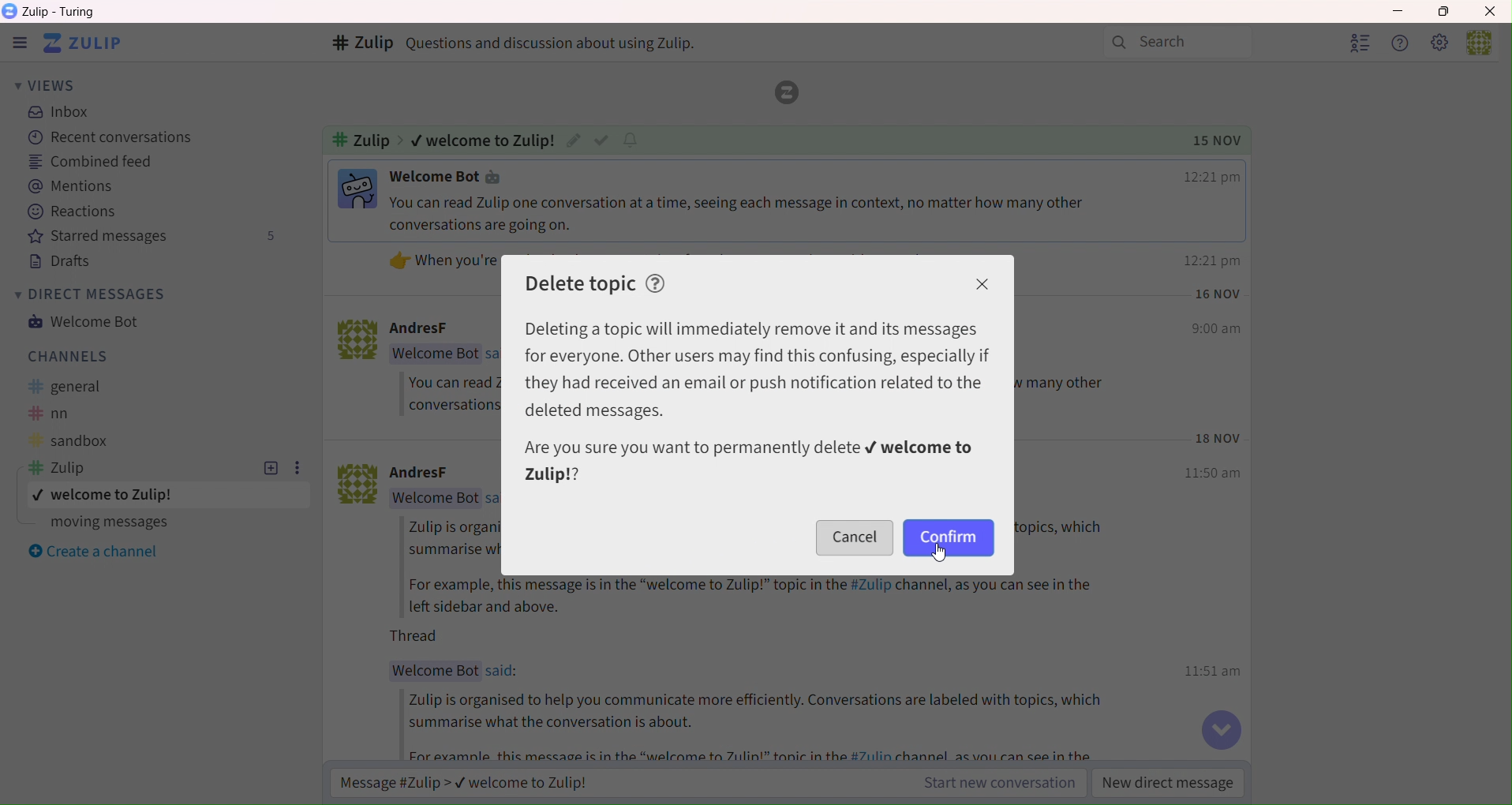 The width and height of the screenshot is (1512, 805). Describe the element at coordinates (436, 354) in the screenshot. I see `Text` at that location.